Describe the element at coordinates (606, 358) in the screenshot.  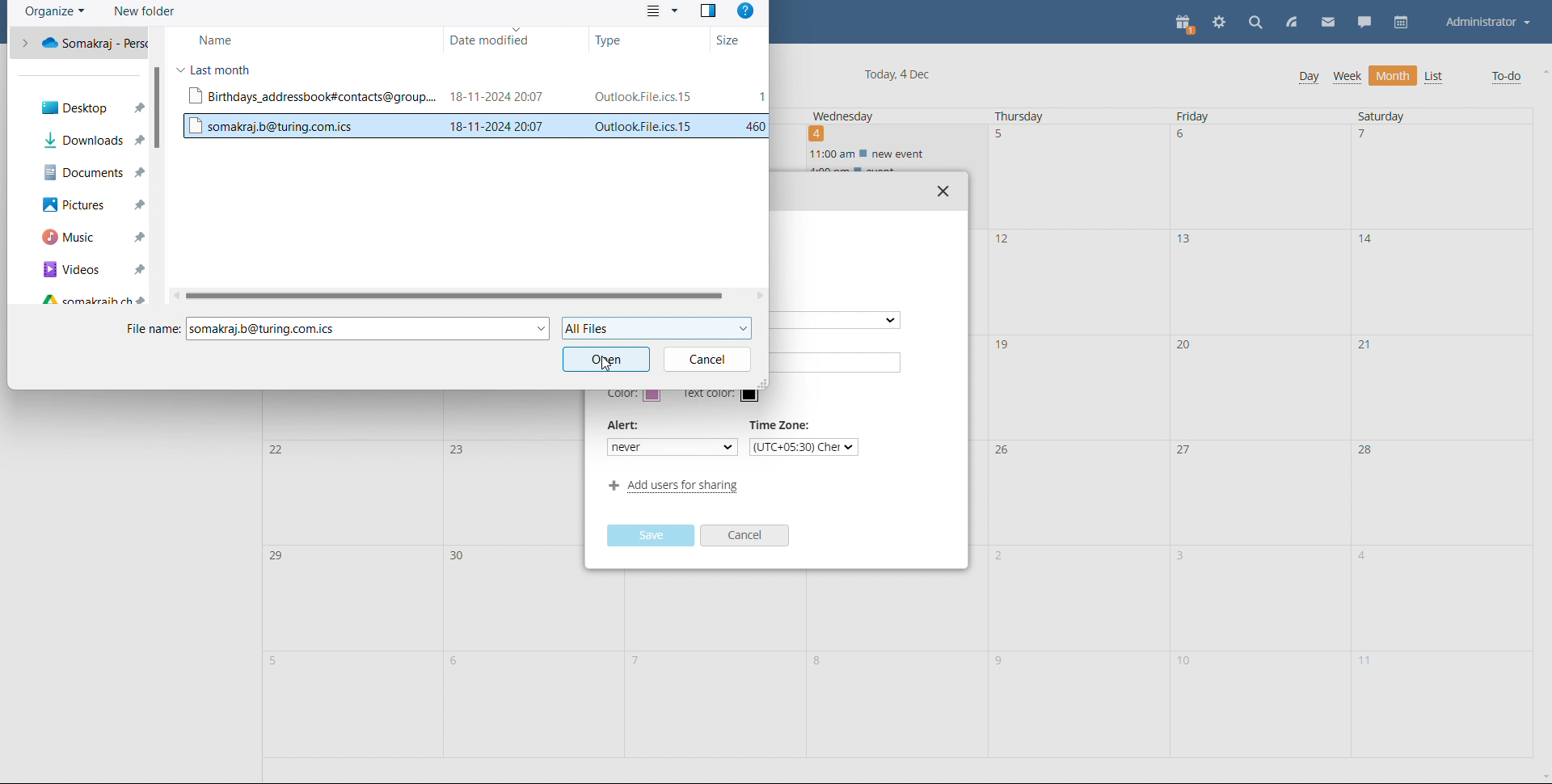
I see `open` at that location.